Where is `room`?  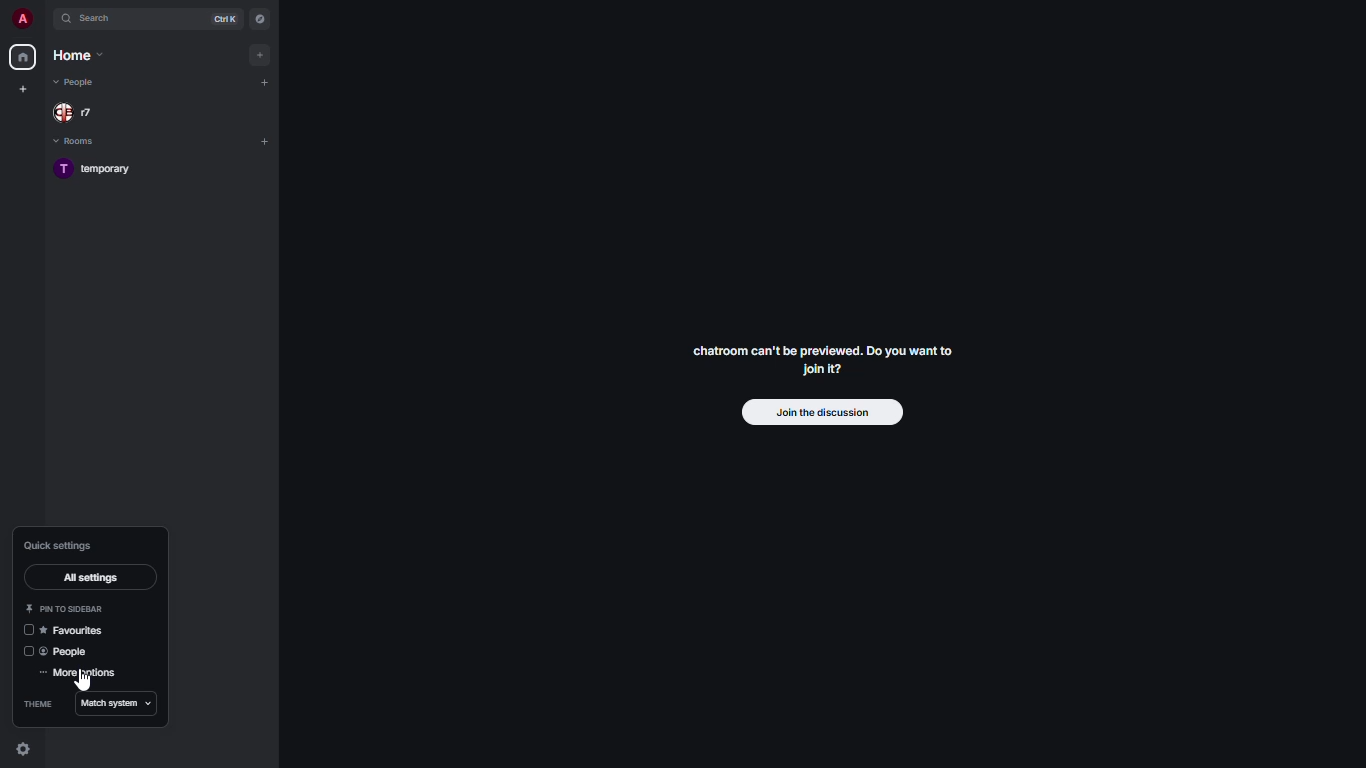
room is located at coordinates (99, 168).